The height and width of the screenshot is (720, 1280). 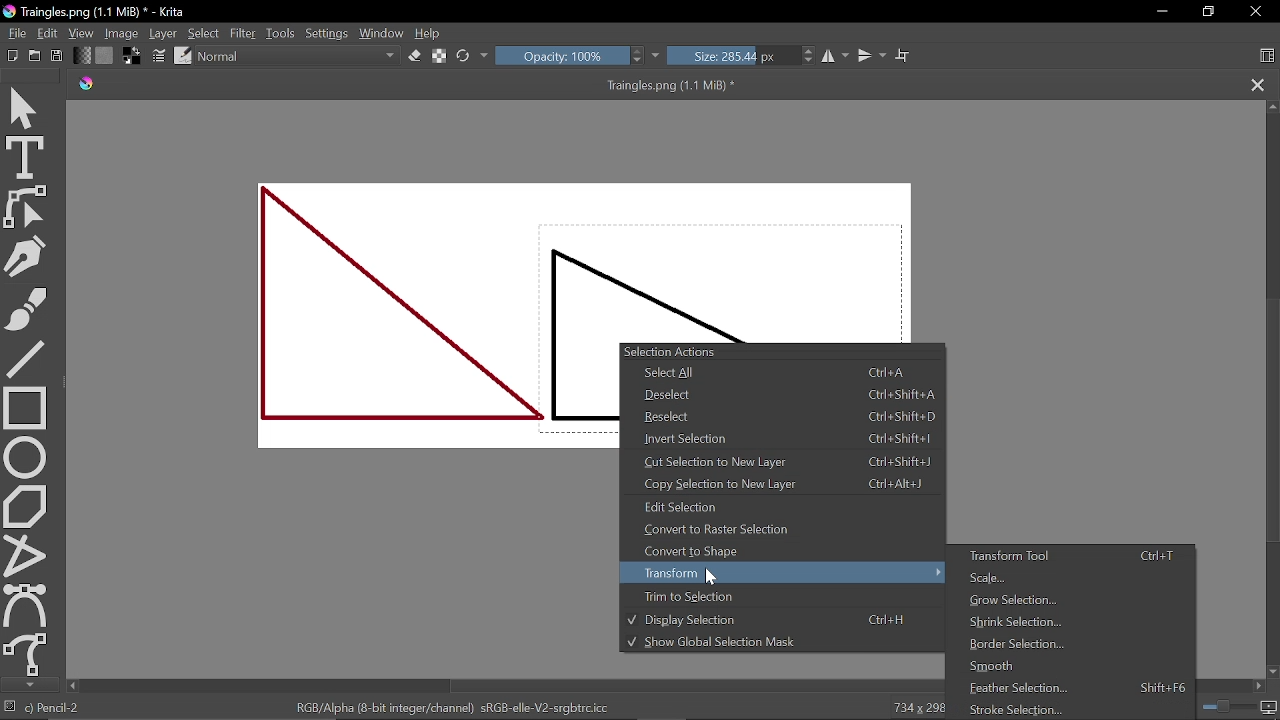 What do you see at coordinates (438, 57) in the screenshot?
I see `Preserve alpha` at bounding box center [438, 57].